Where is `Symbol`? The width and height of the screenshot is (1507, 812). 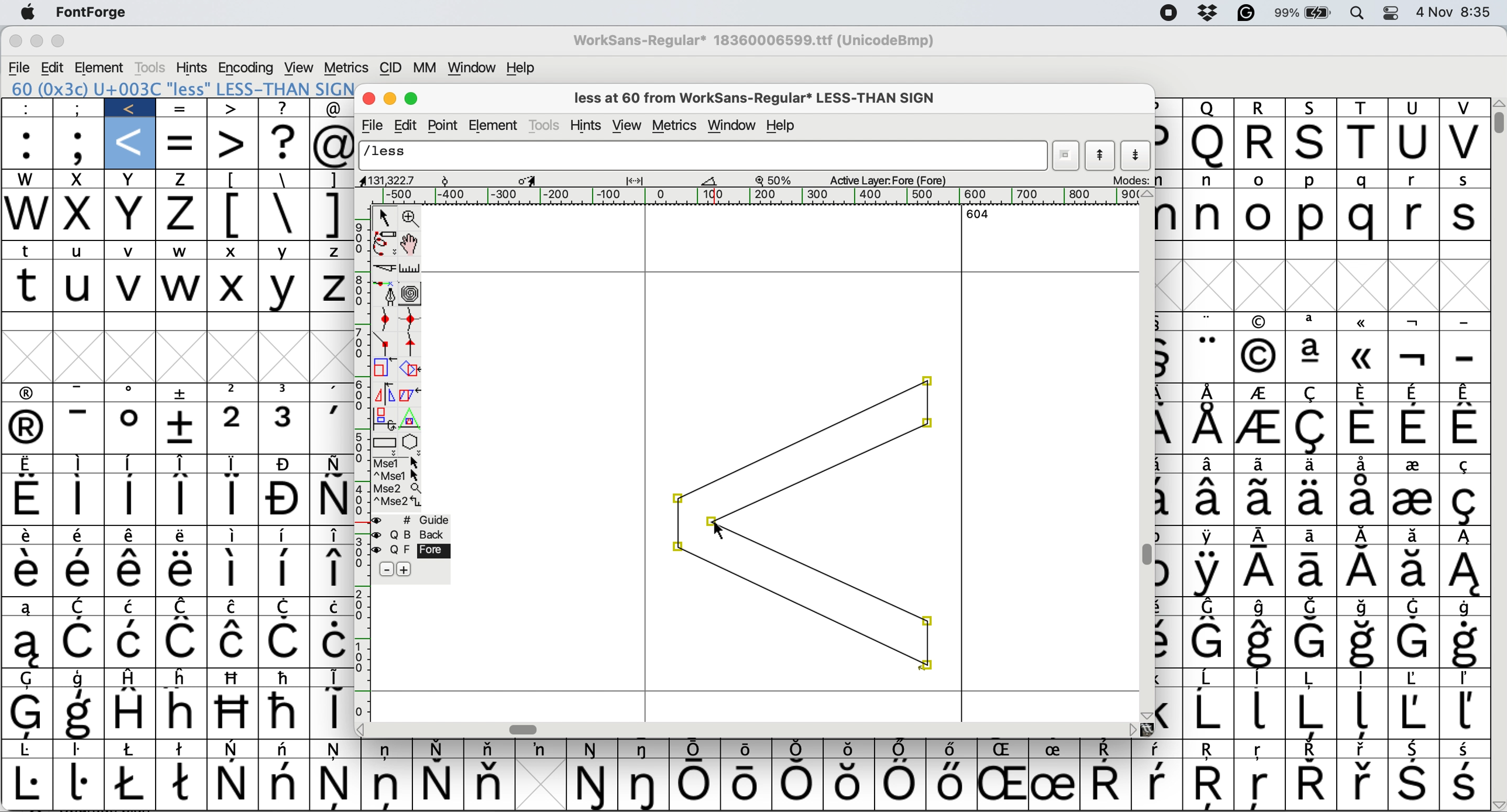
Symbol is located at coordinates (1158, 748).